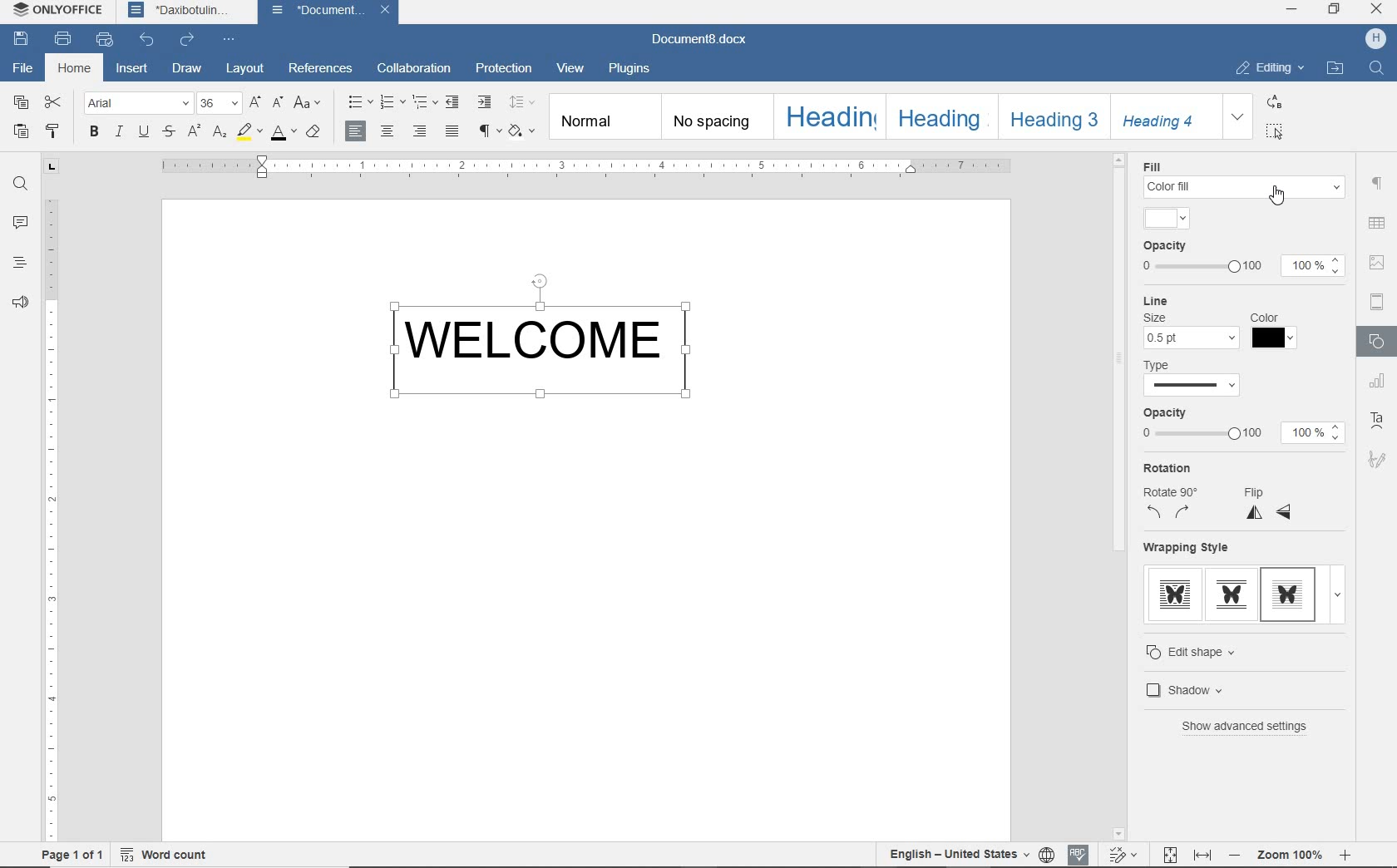 This screenshot has height=868, width=1397. I want to click on RESTORE DOWN, so click(1336, 11).